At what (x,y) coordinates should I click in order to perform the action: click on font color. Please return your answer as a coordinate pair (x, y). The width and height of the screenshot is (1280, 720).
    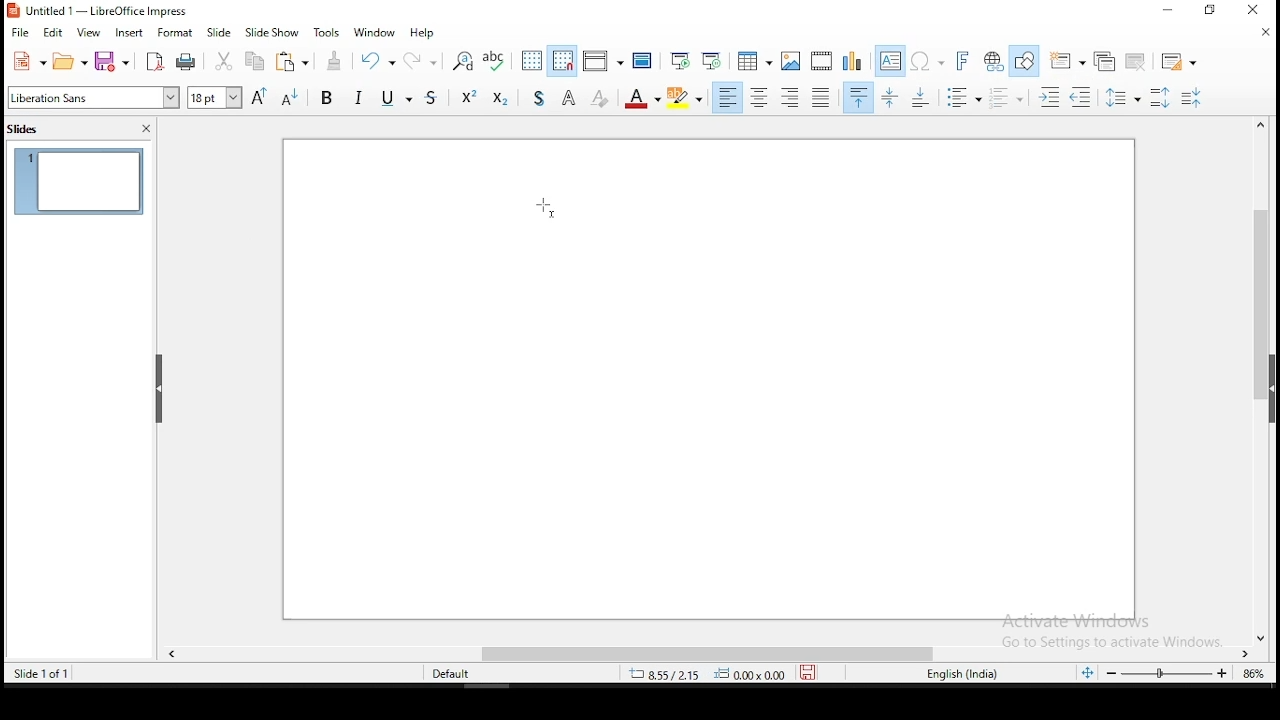
    Looking at the image, I should click on (643, 98).